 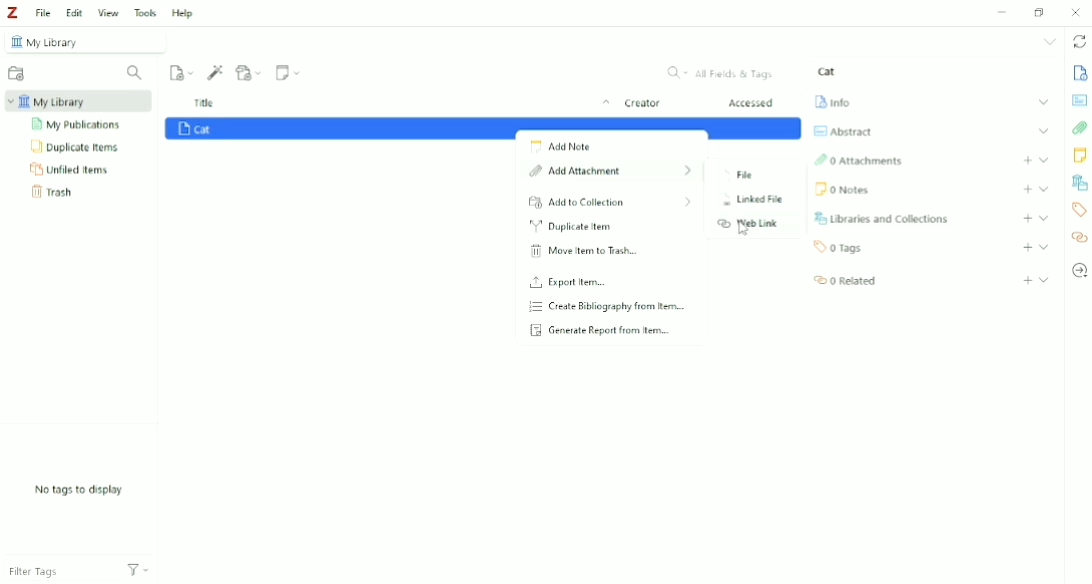 What do you see at coordinates (79, 101) in the screenshot?
I see `My Librar` at bounding box center [79, 101].